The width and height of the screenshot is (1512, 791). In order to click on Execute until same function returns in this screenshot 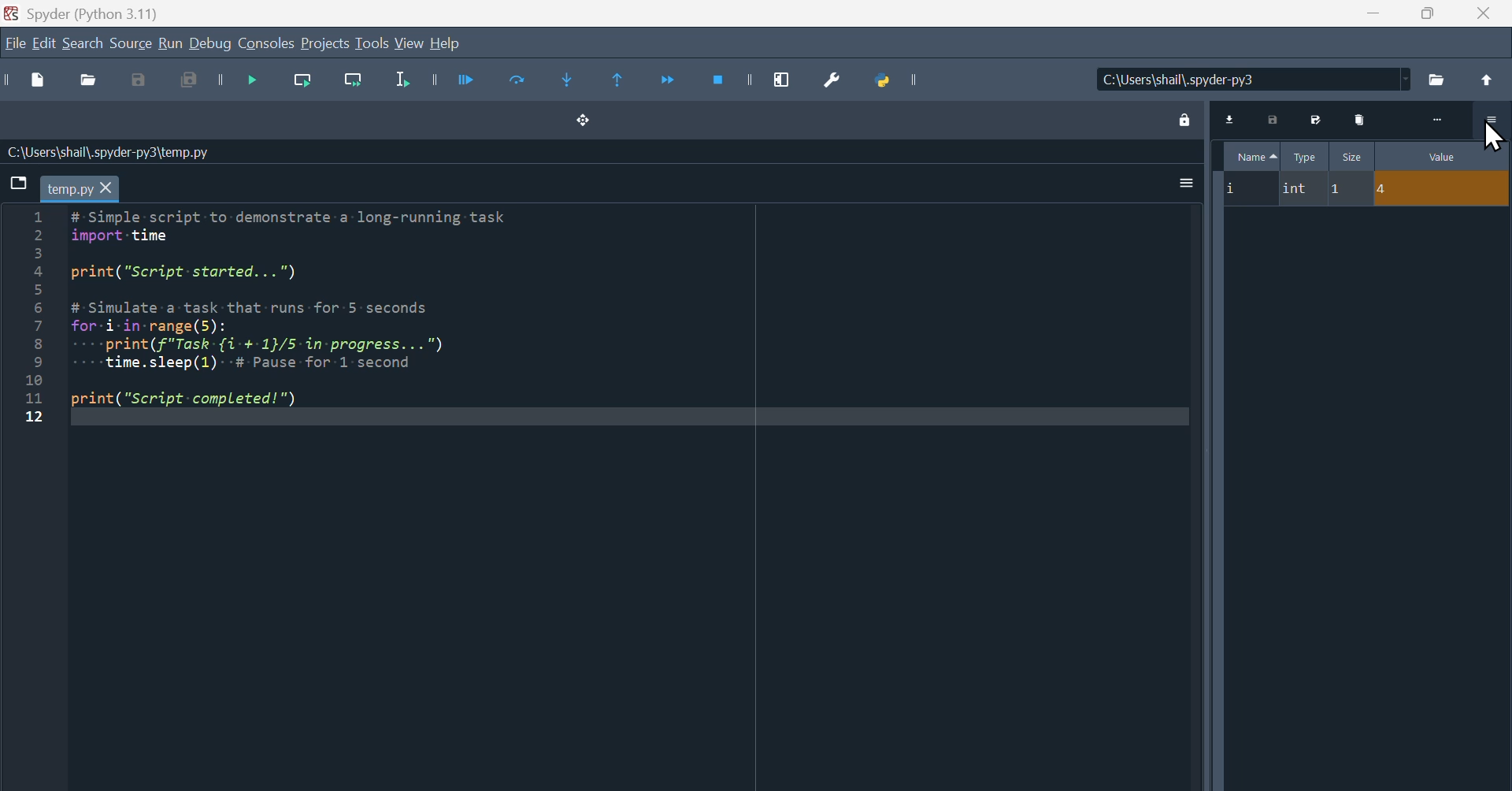, I will do `click(619, 83)`.